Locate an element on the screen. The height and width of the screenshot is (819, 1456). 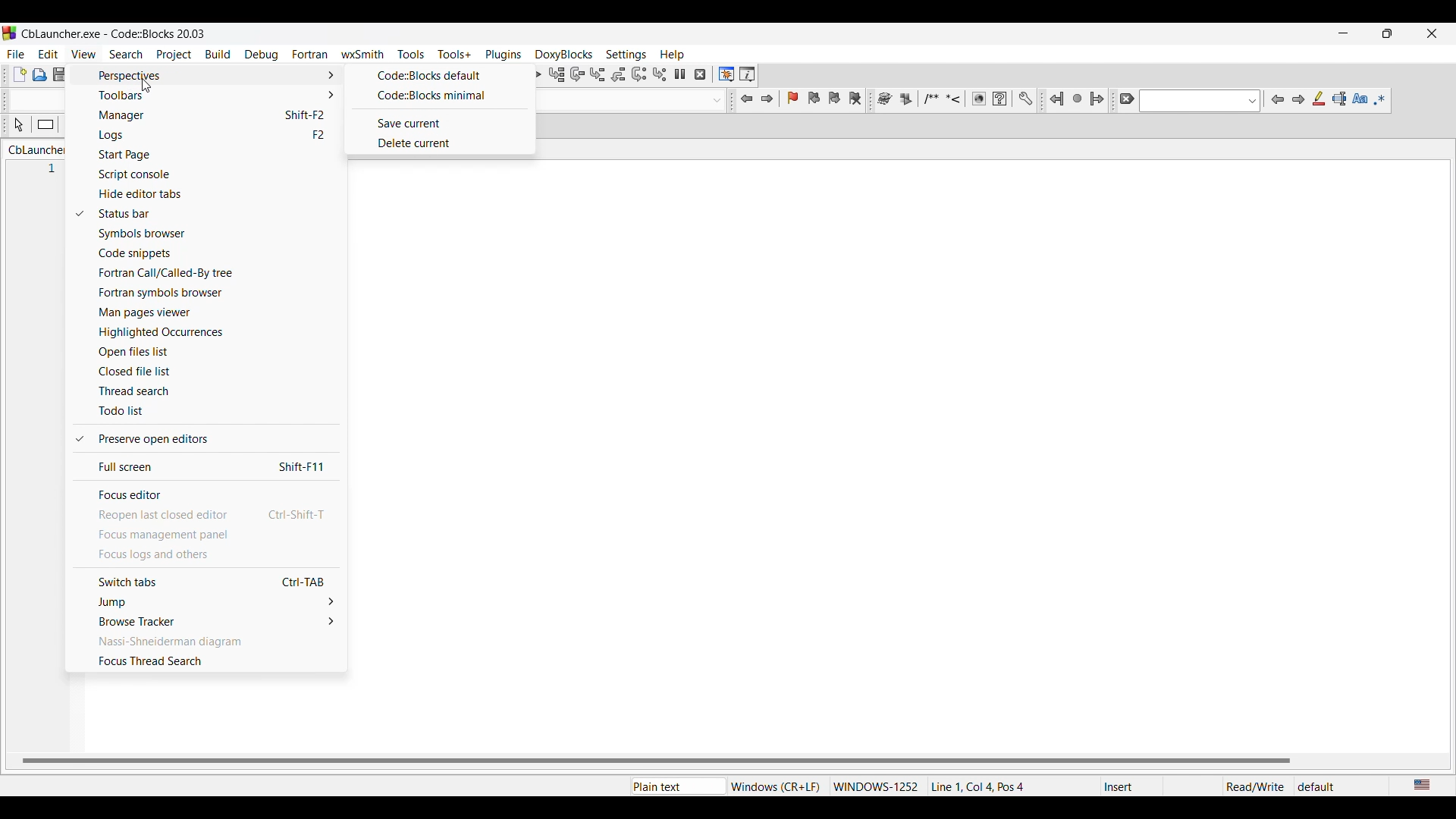
Previous bookmark is located at coordinates (814, 98).